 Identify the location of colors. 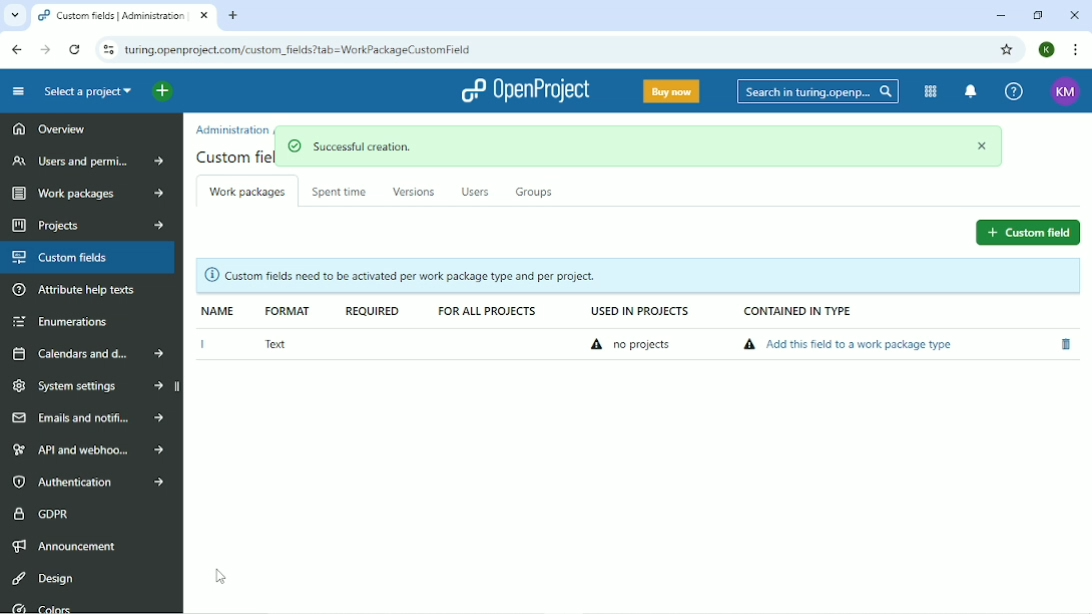
(59, 606).